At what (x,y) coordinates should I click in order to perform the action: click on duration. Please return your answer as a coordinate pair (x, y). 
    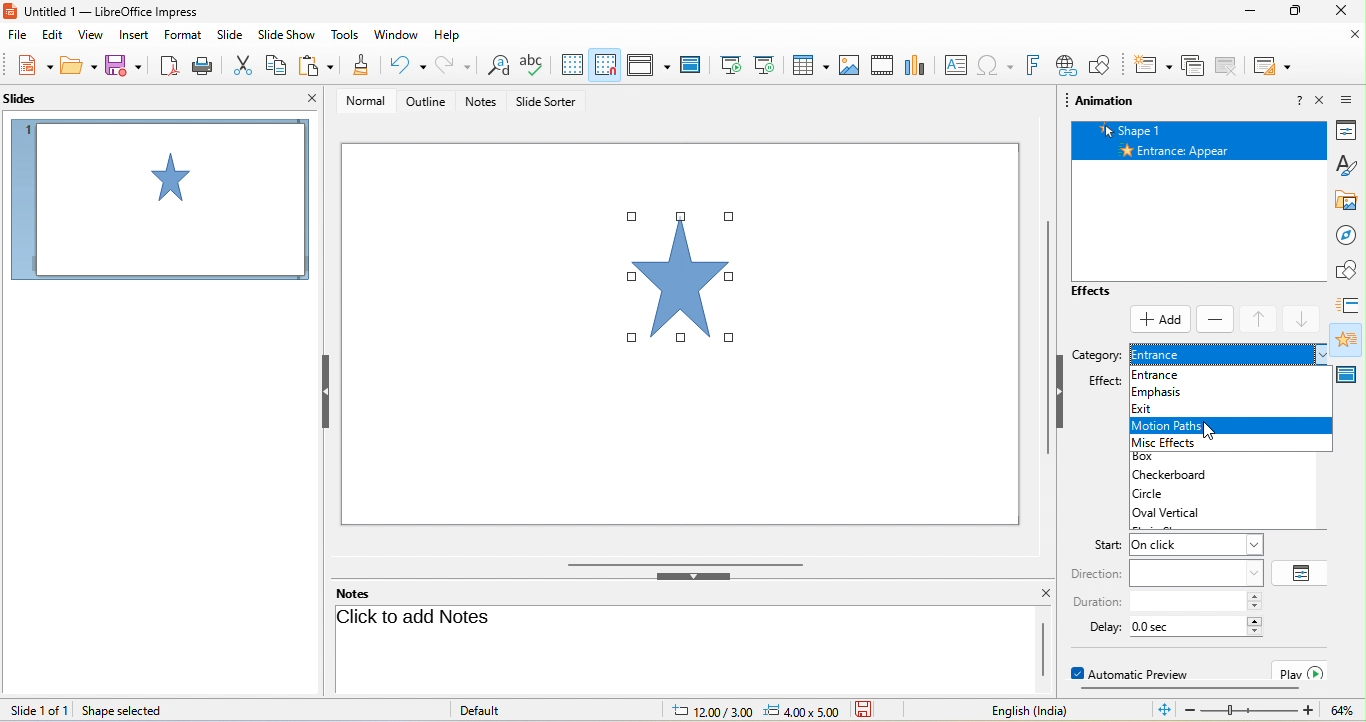
    Looking at the image, I should click on (1096, 602).